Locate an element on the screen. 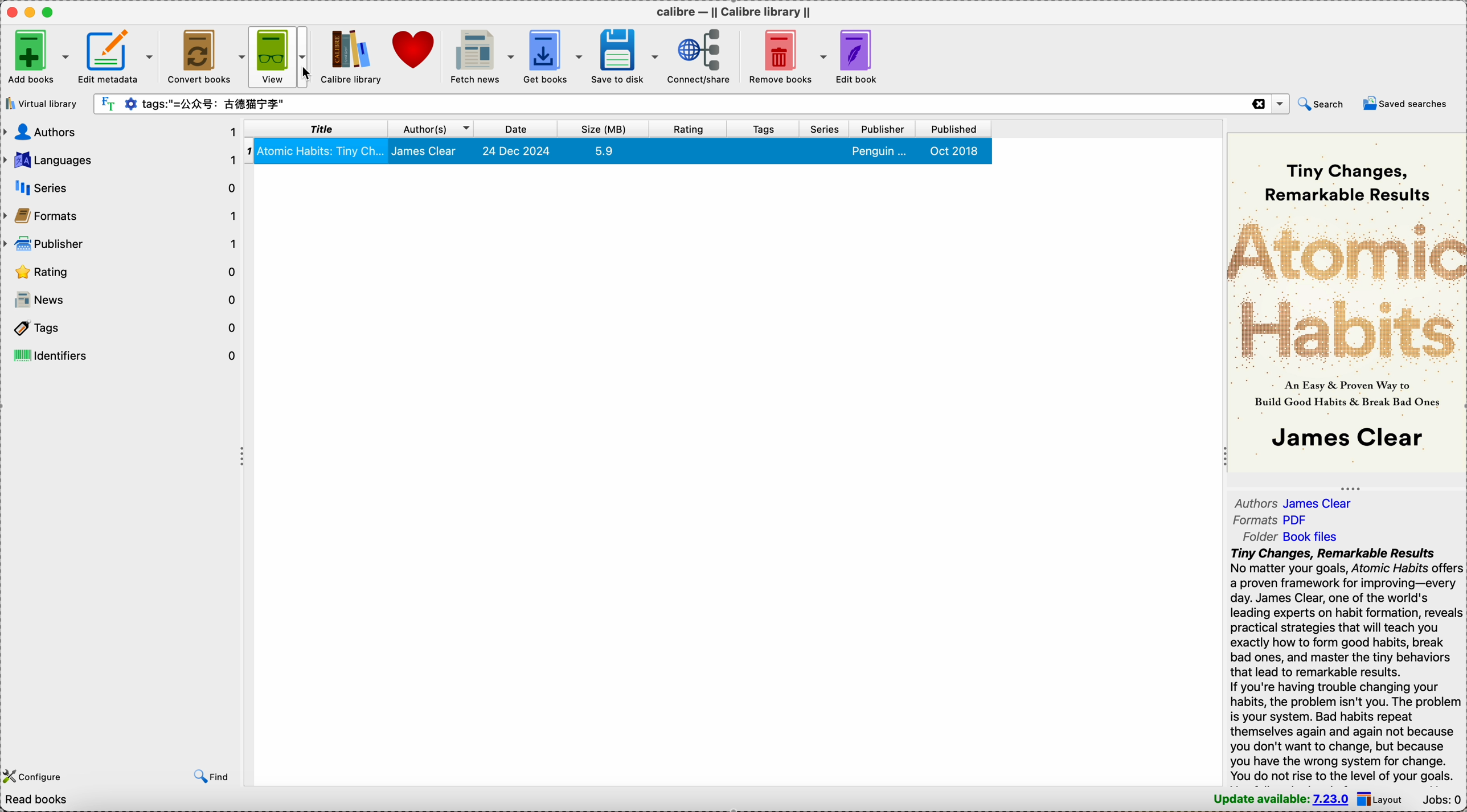 The width and height of the screenshot is (1467, 812). save to disk is located at coordinates (625, 55).